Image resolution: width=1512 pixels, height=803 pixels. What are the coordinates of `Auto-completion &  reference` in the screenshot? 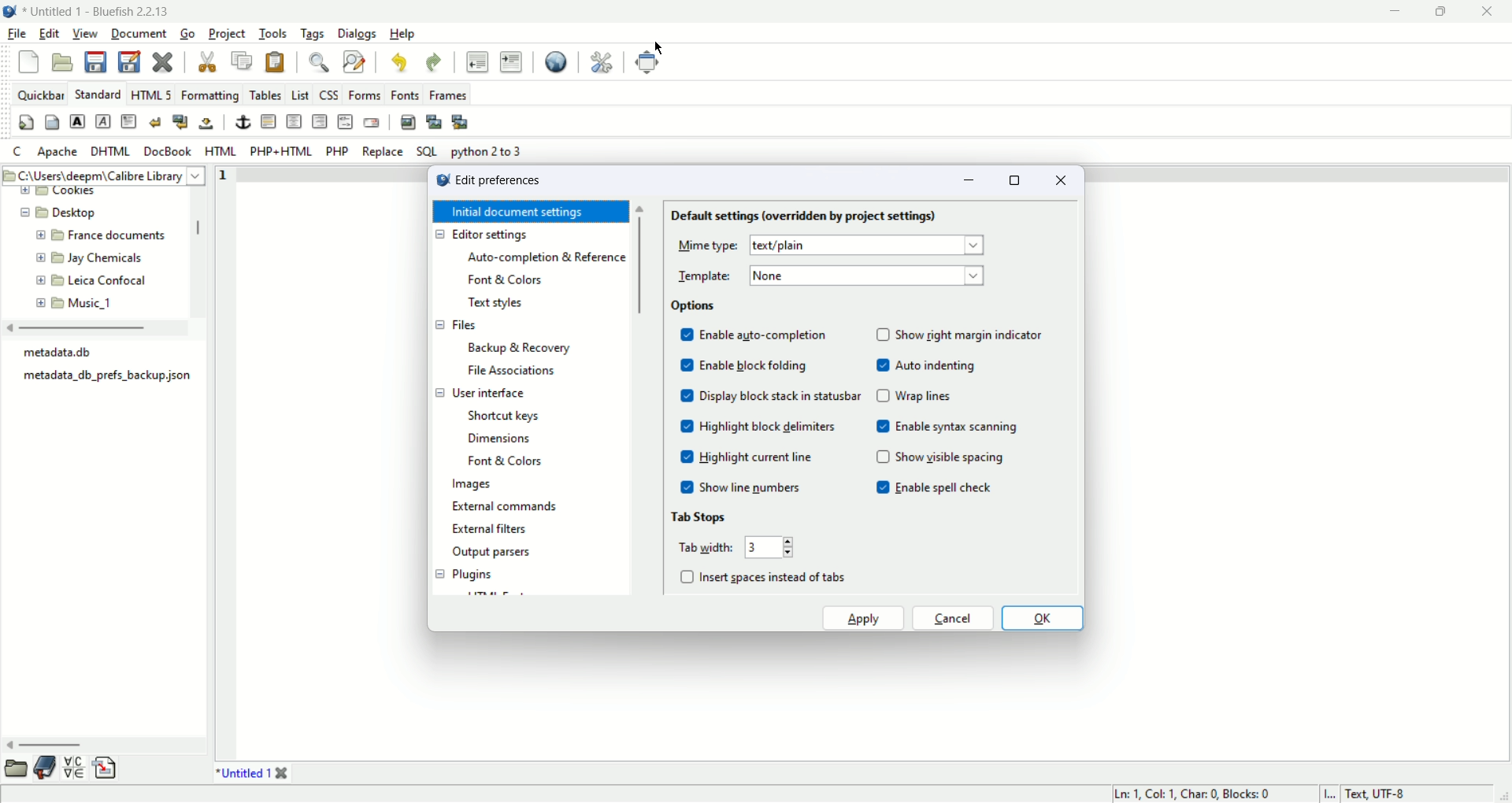 It's located at (539, 255).